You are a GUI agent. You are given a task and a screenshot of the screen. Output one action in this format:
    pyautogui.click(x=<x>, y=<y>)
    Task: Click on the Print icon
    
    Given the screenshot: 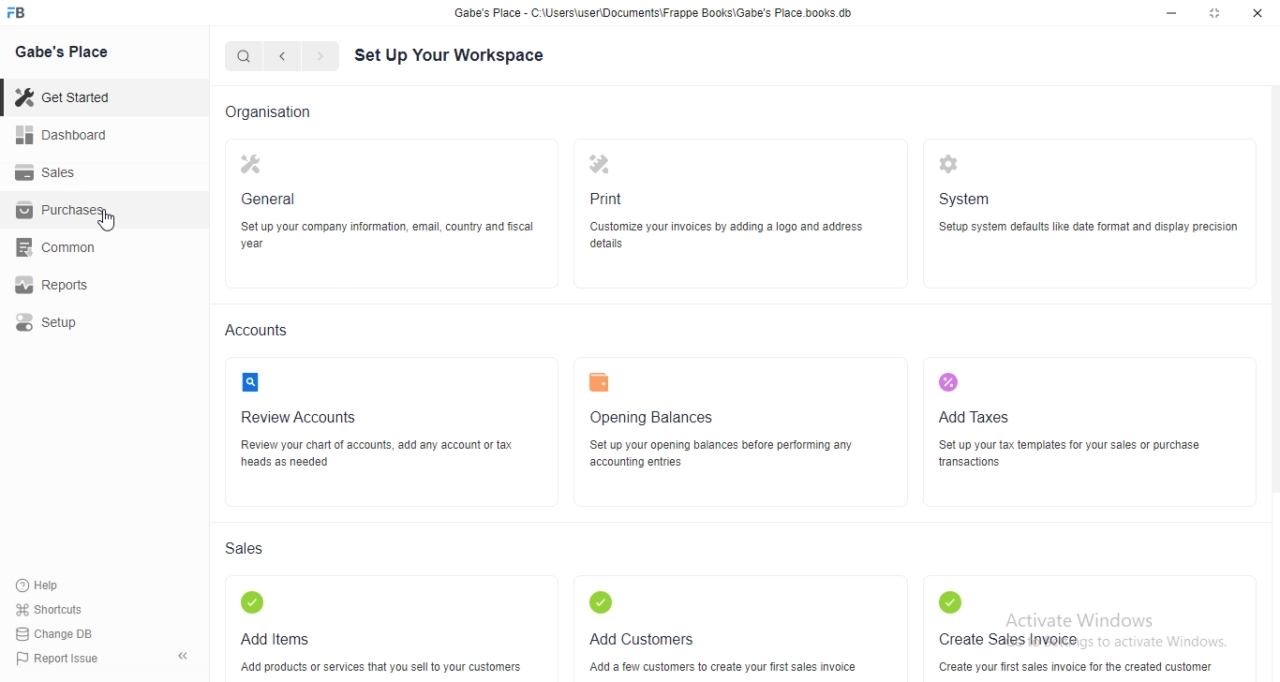 What is the action you would take?
    pyautogui.click(x=599, y=163)
    